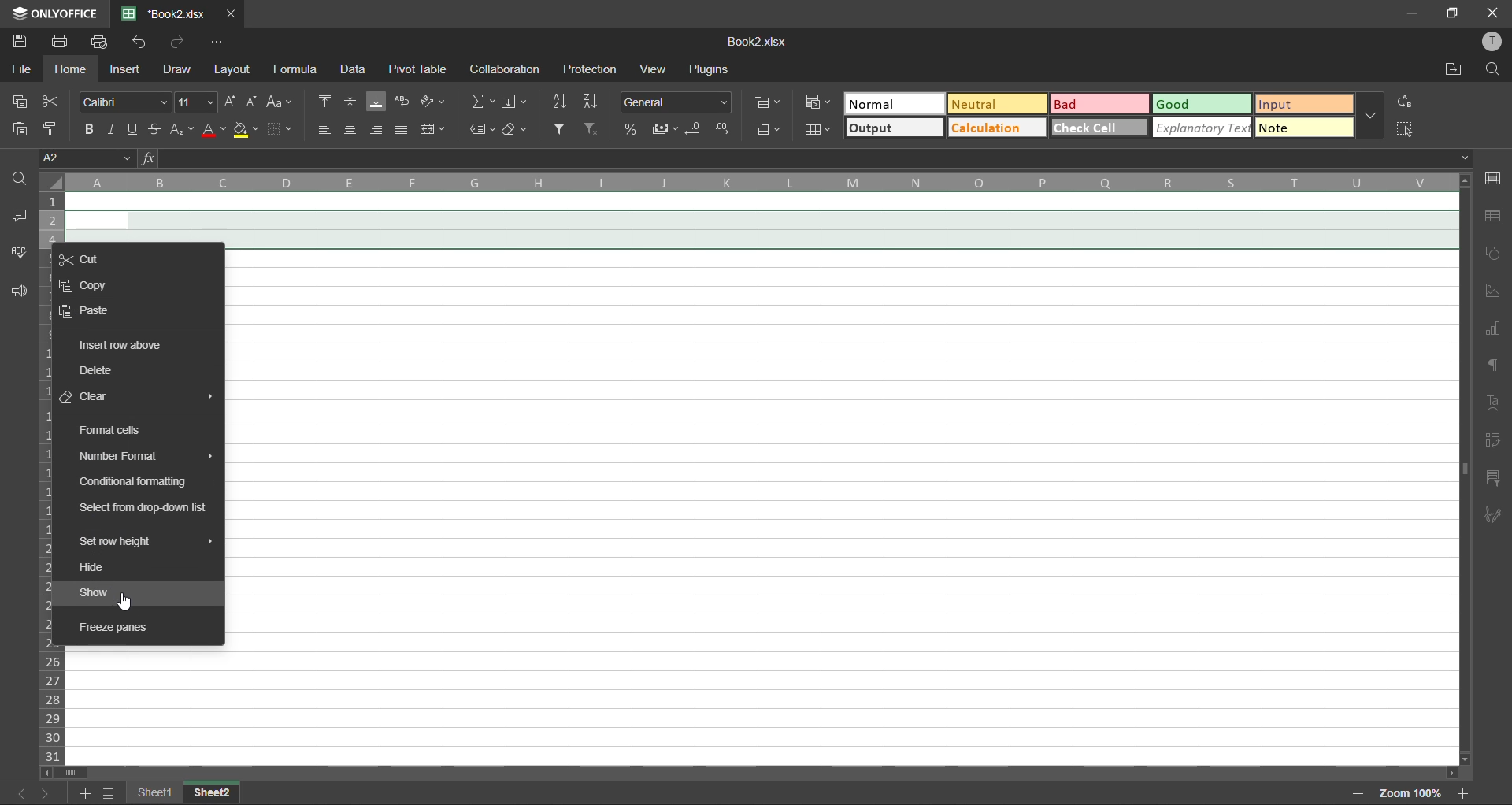 The width and height of the screenshot is (1512, 805). Describe the element at coordinates (98, 372) in the screenshot. I see `delete` at that location.